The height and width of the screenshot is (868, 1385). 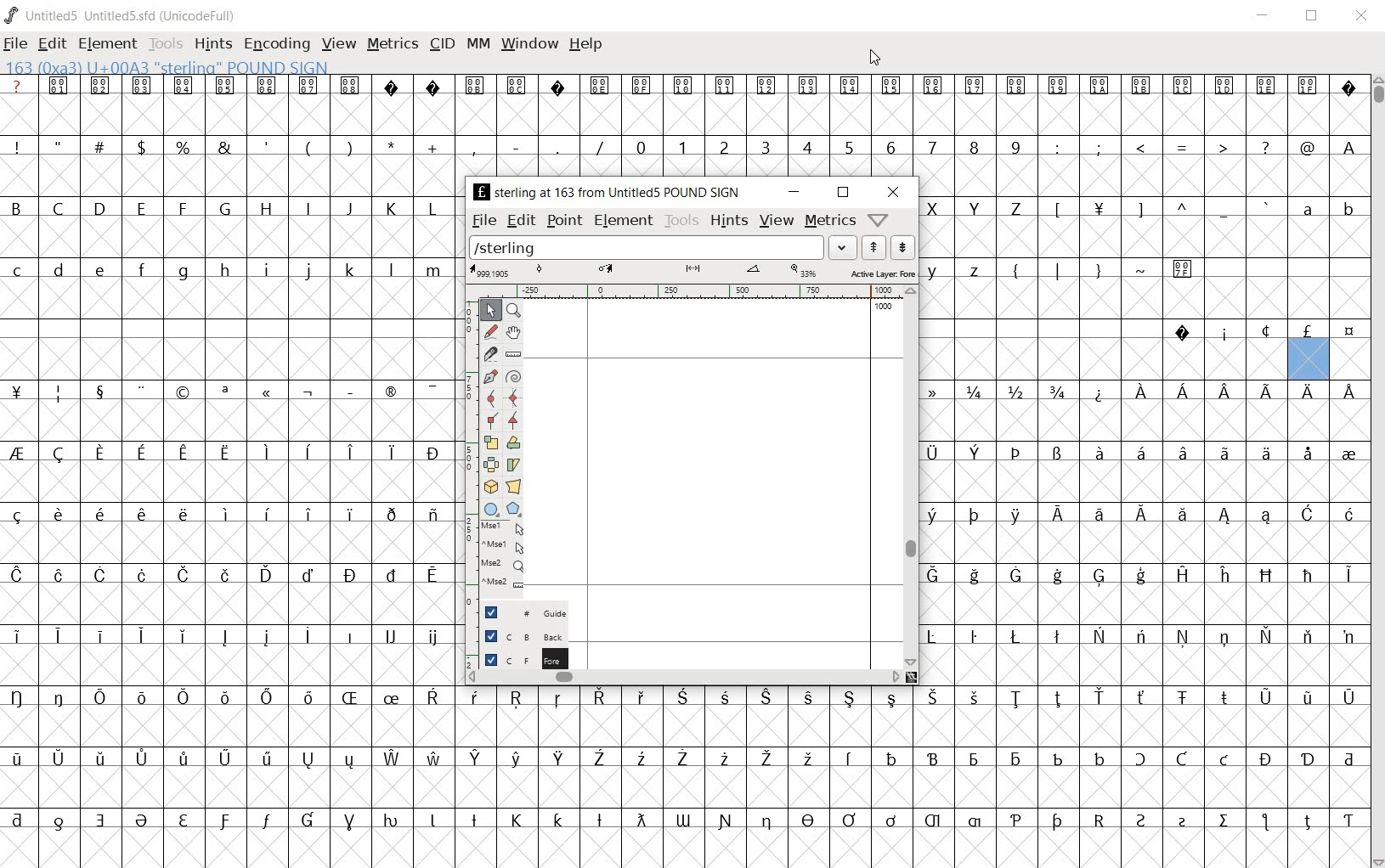 What do you see at coordinates (890, 147) in the screenshot?
I see `6` at bounding box center [890, 147].